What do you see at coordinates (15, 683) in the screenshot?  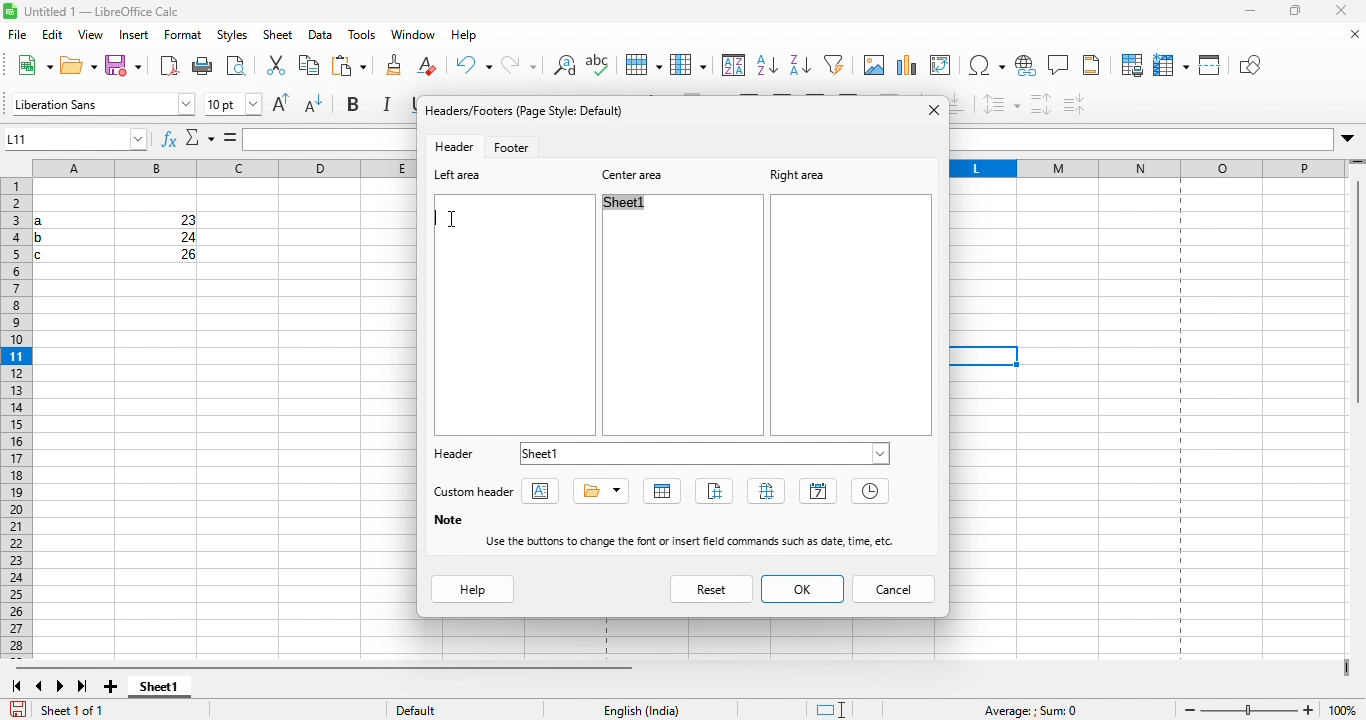 I see `first sheet` at bounding box center [15, 683].